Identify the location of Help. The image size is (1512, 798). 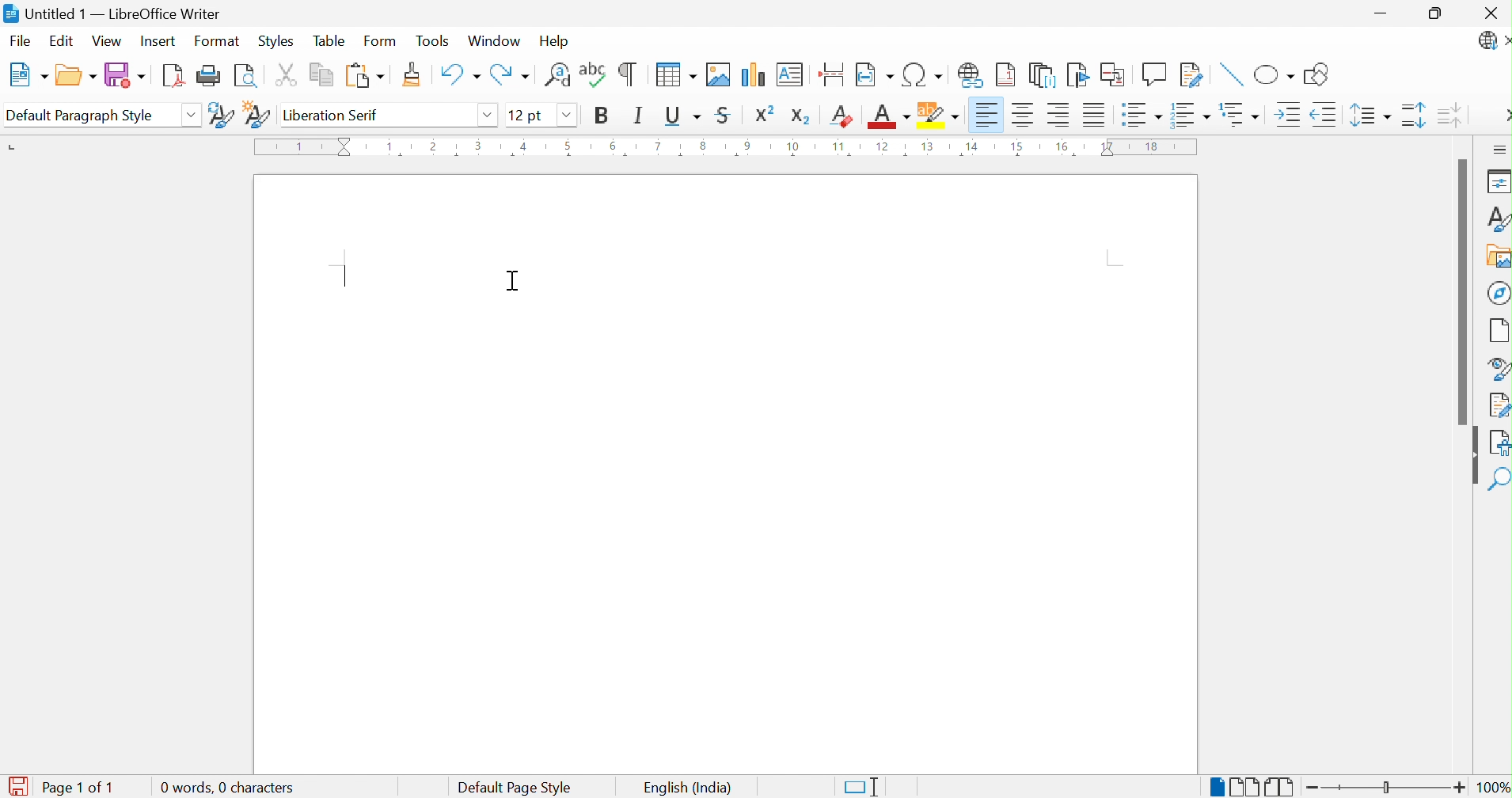
(553, 42).